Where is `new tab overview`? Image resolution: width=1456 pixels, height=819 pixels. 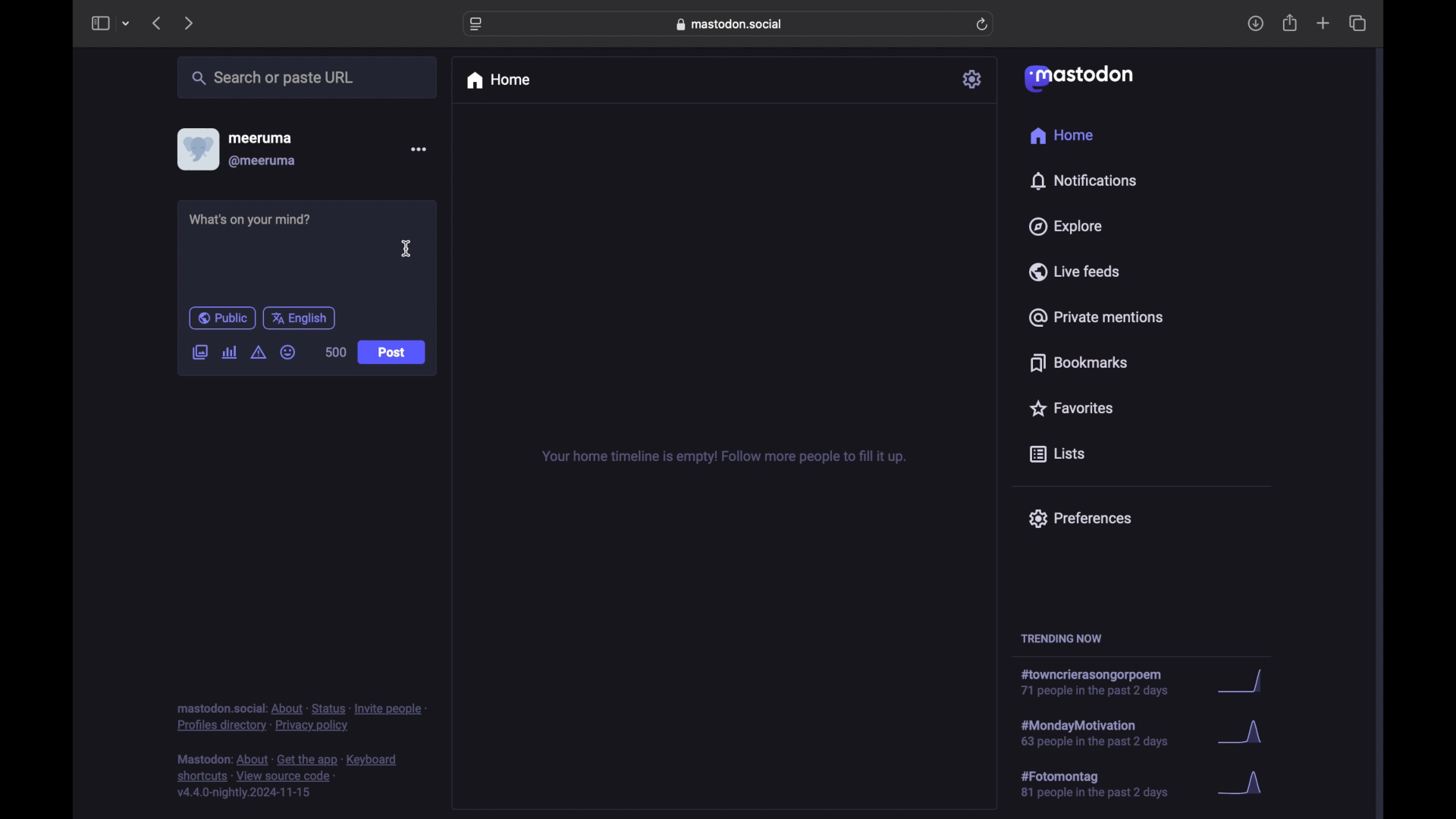
new tab overview is located at coordinates (1323, 23).